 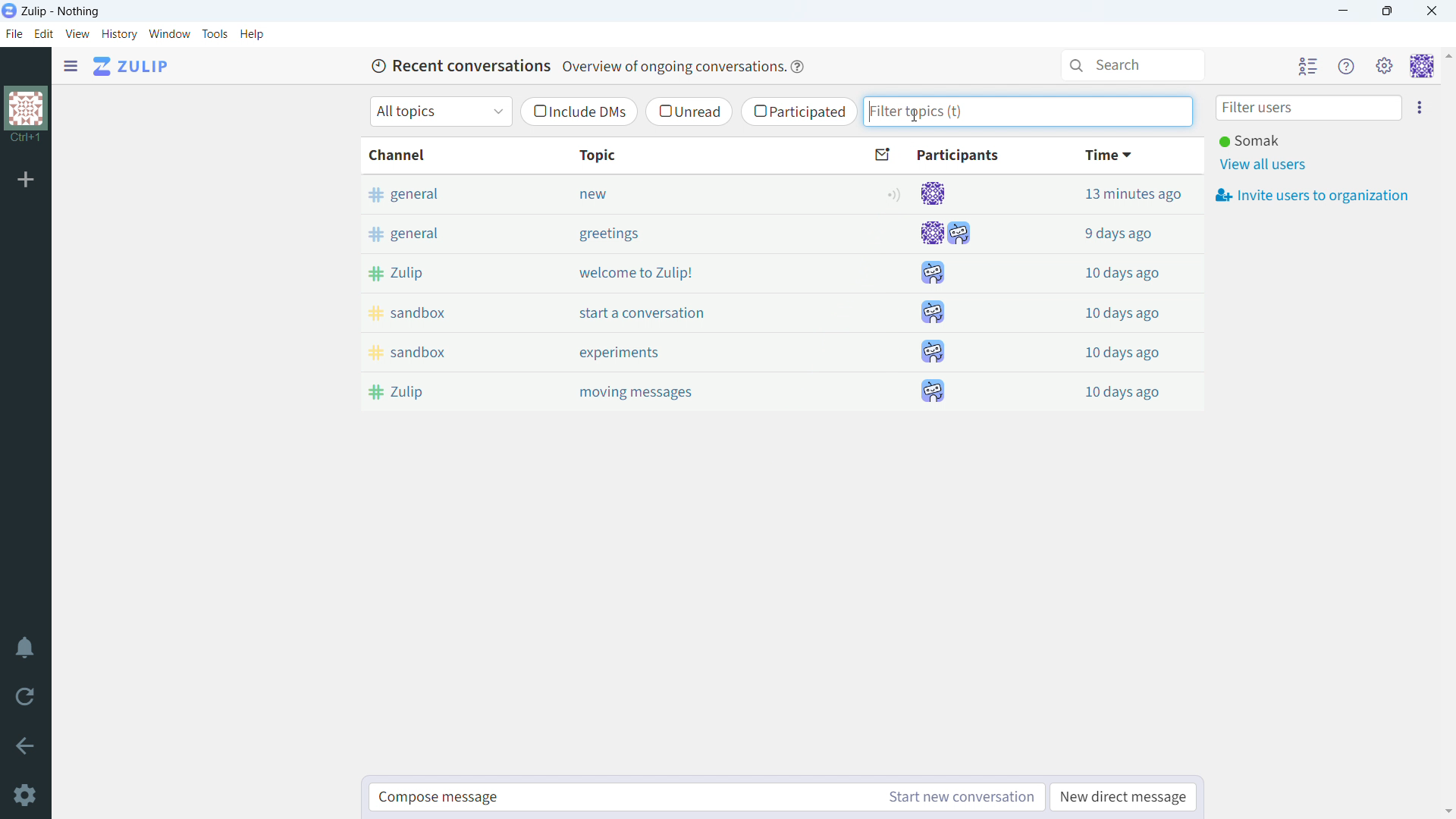 What do you see at coordinates (1447, 55) in the screenshot?
I see `scroll up` at bounding box center [1447, 55].